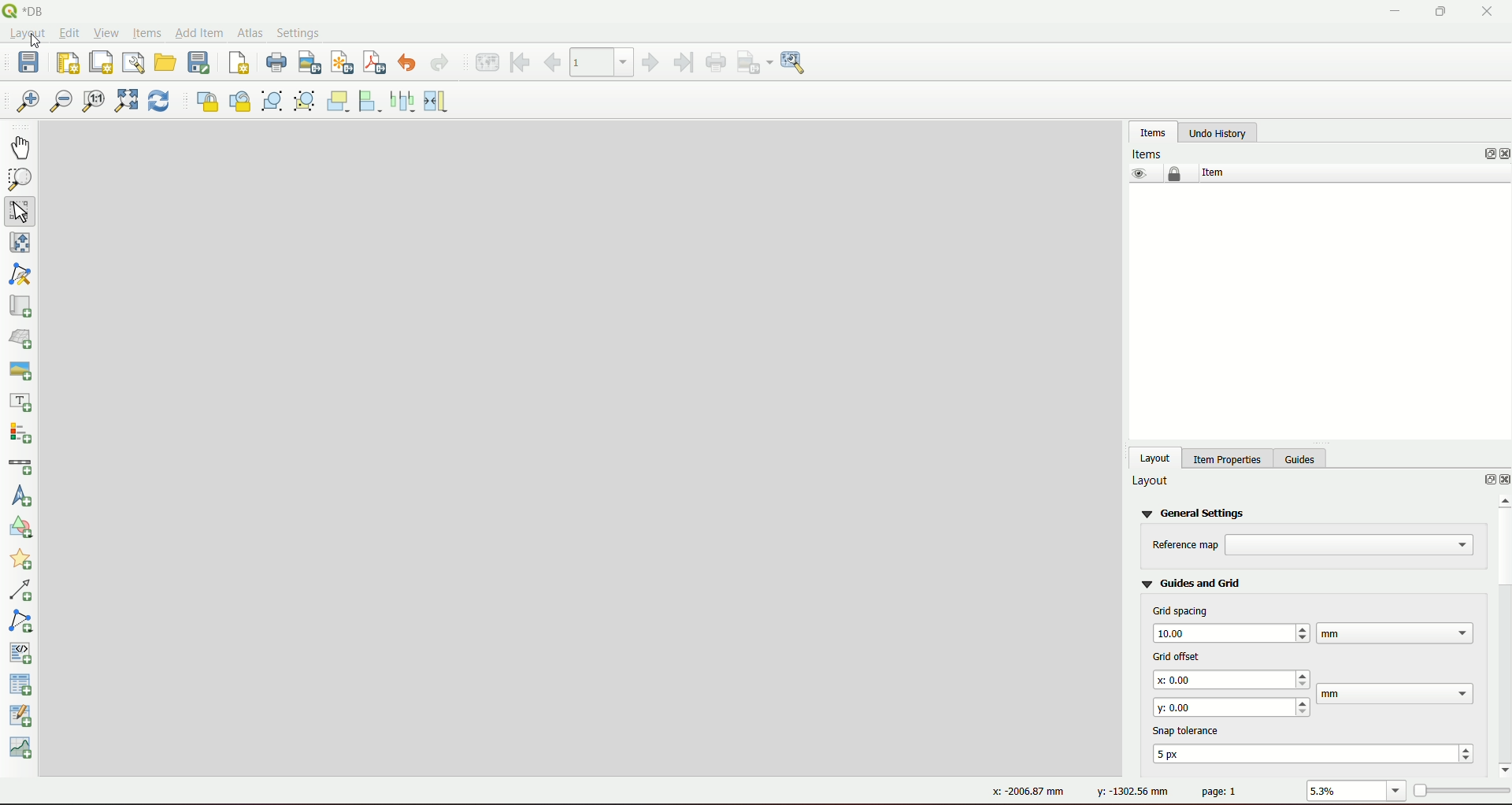  What do you see at coordinates (1503, 154) in the screenshot?
I see `close` at bounding box center [1503, 154].